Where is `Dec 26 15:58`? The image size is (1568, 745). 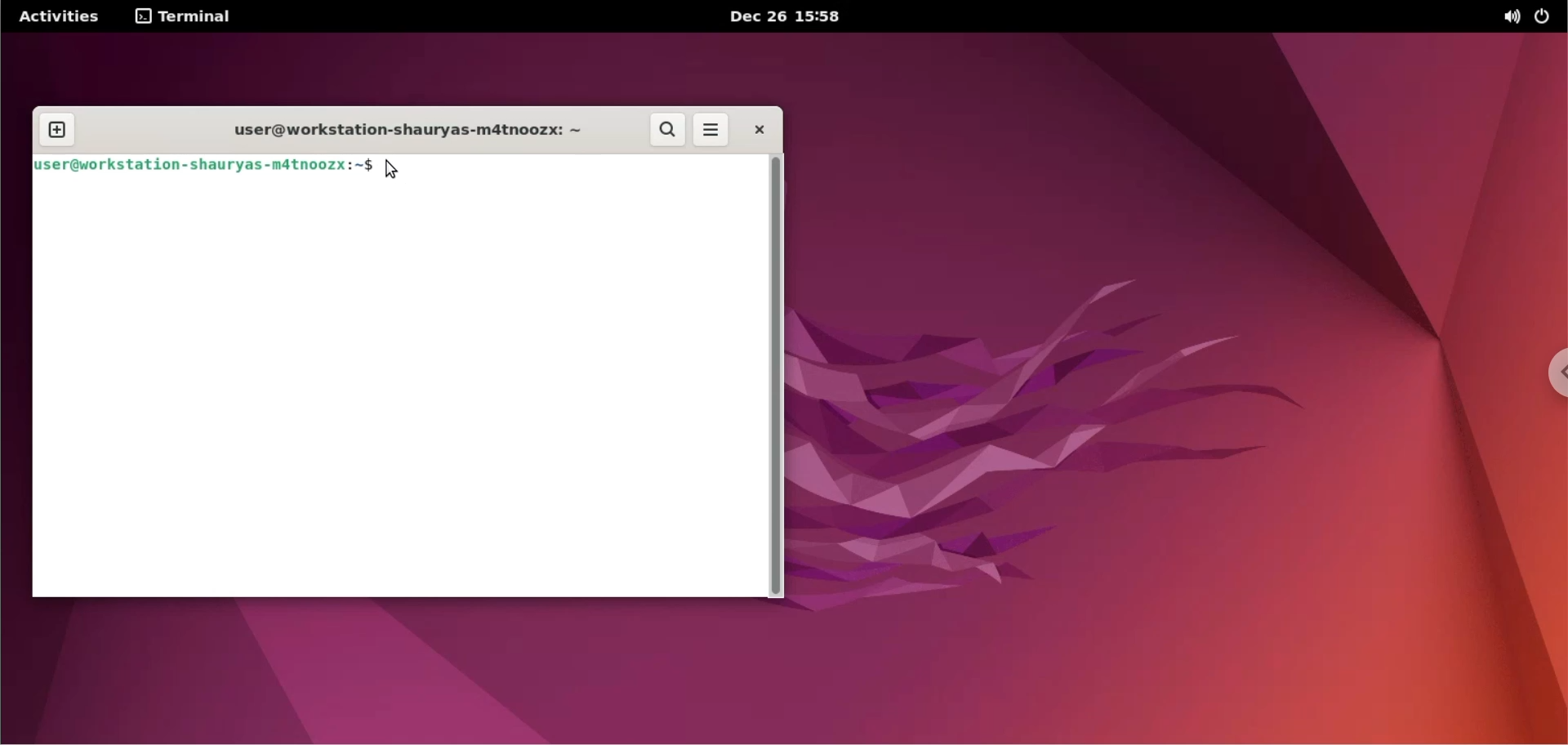
Dec 26 15:58 is located at coordinates (788, 17).